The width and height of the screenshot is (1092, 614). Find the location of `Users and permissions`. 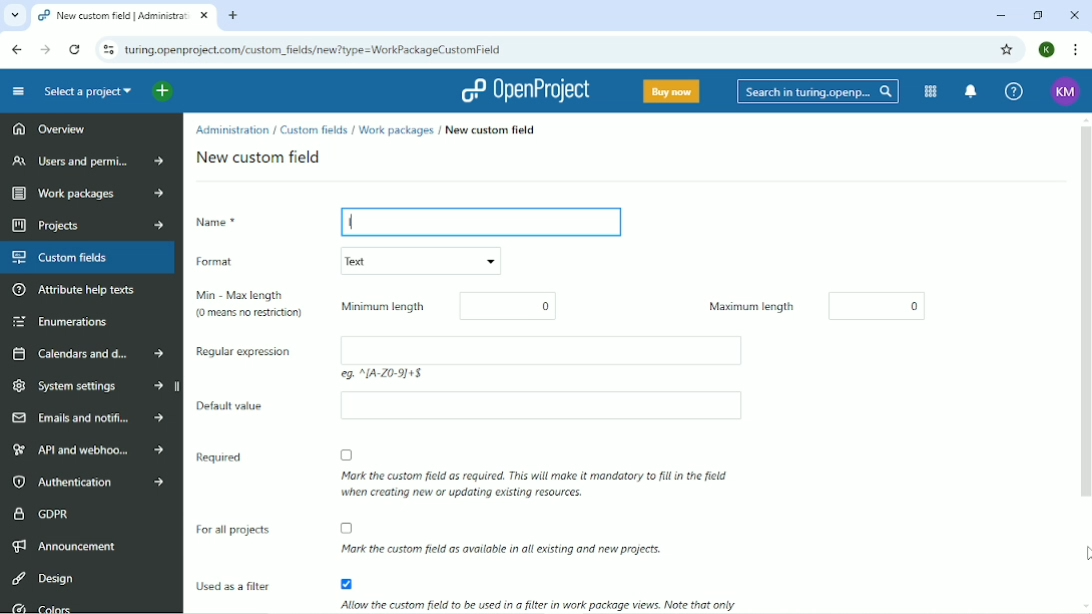

Users and permissions is located at coordinates (88, 161).